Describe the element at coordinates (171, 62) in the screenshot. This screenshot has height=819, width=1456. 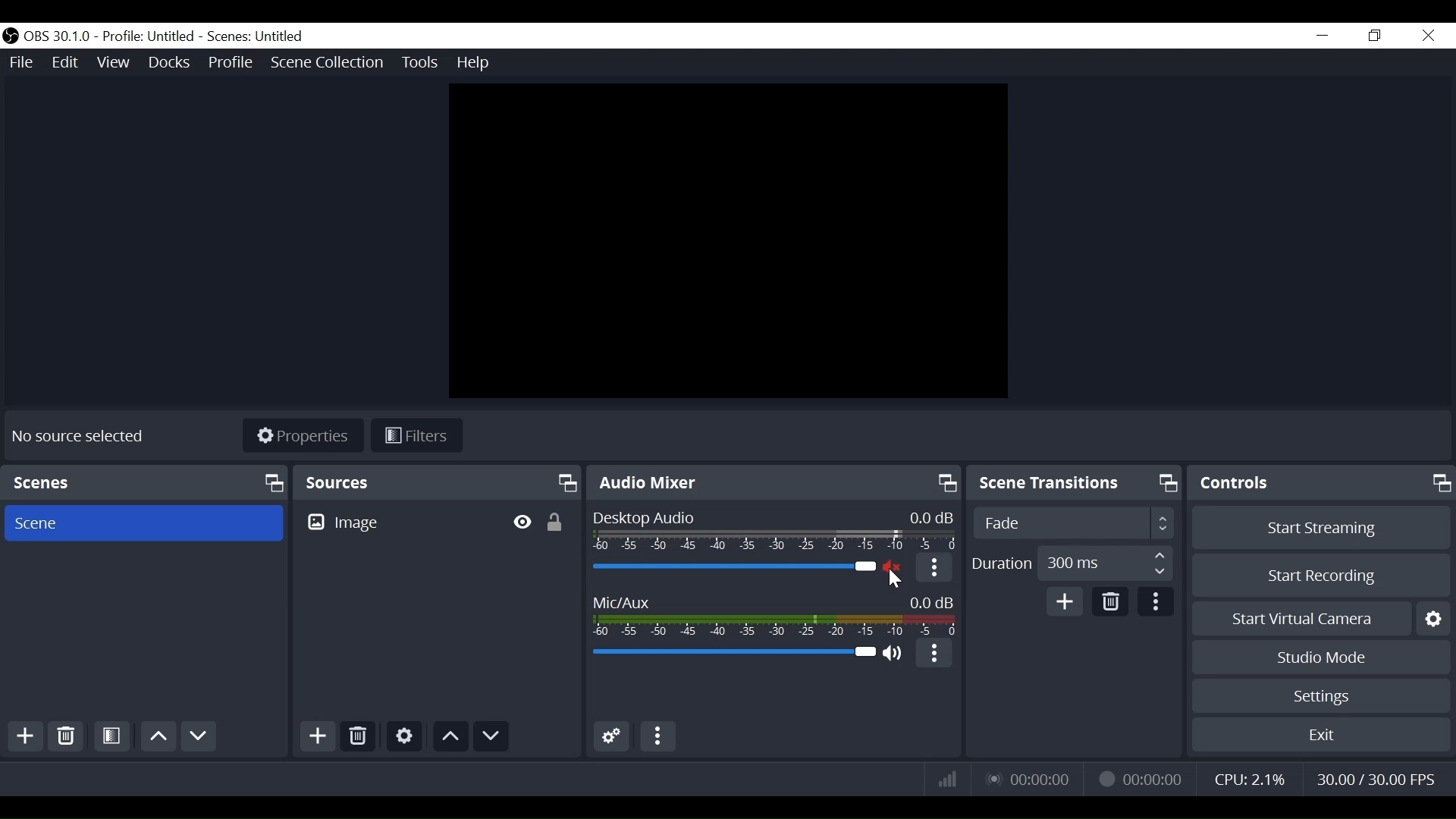
I see `Docks` at that location.